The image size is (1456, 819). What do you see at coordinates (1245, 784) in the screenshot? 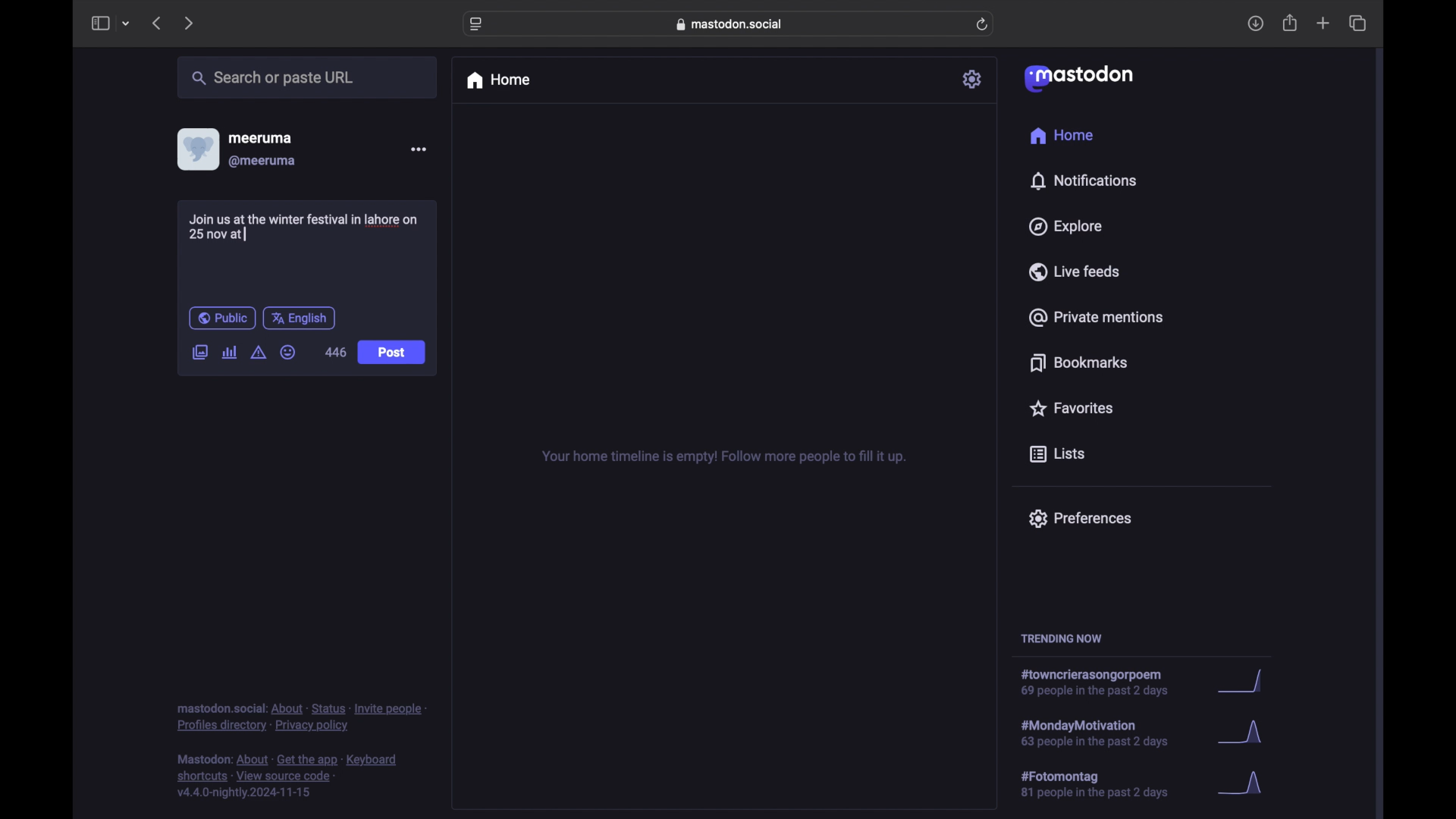
I see `graph` at bounding box center [1245, 784].